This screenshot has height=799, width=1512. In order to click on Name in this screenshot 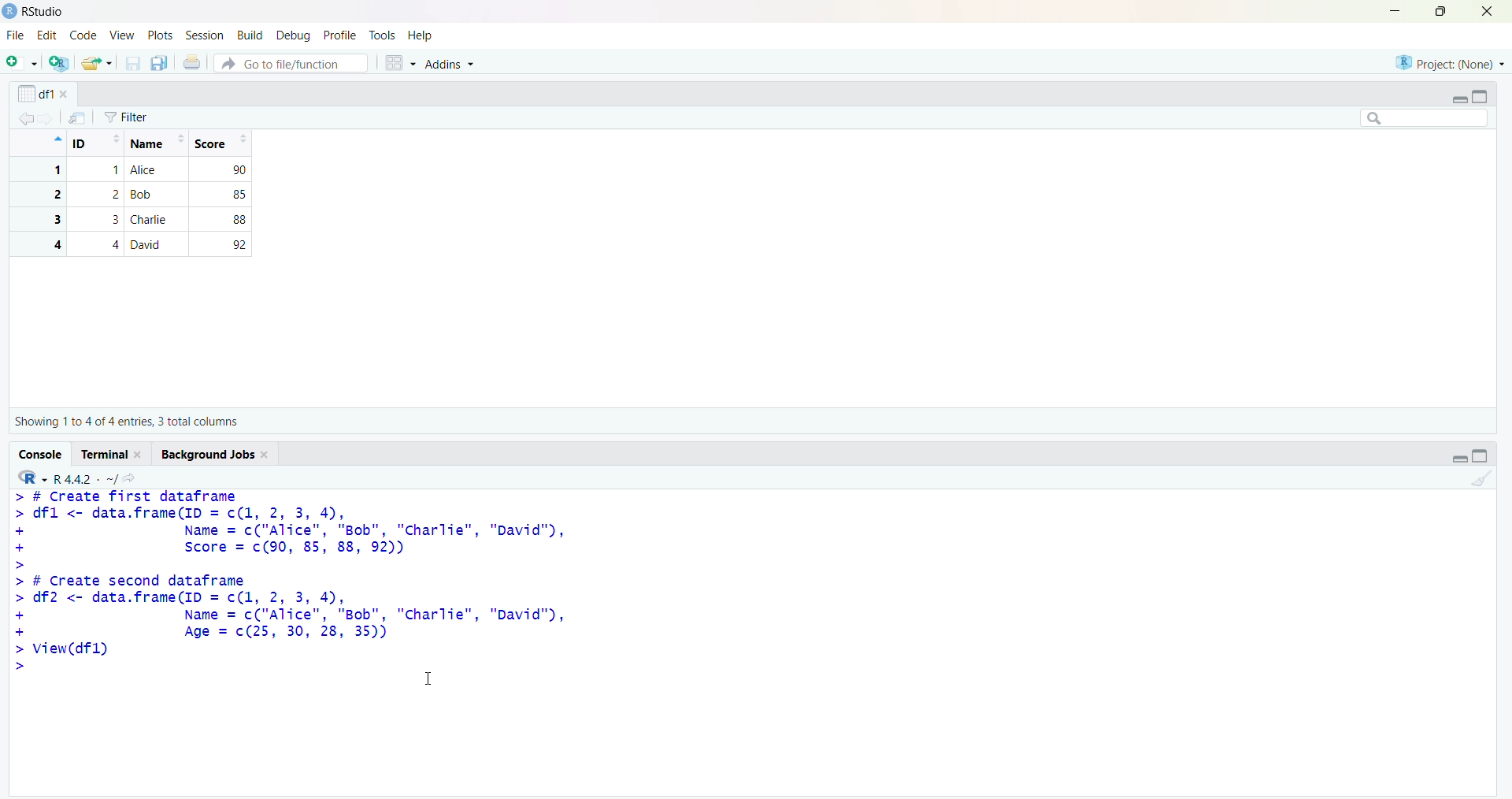, I will do `click(156, 143)`.